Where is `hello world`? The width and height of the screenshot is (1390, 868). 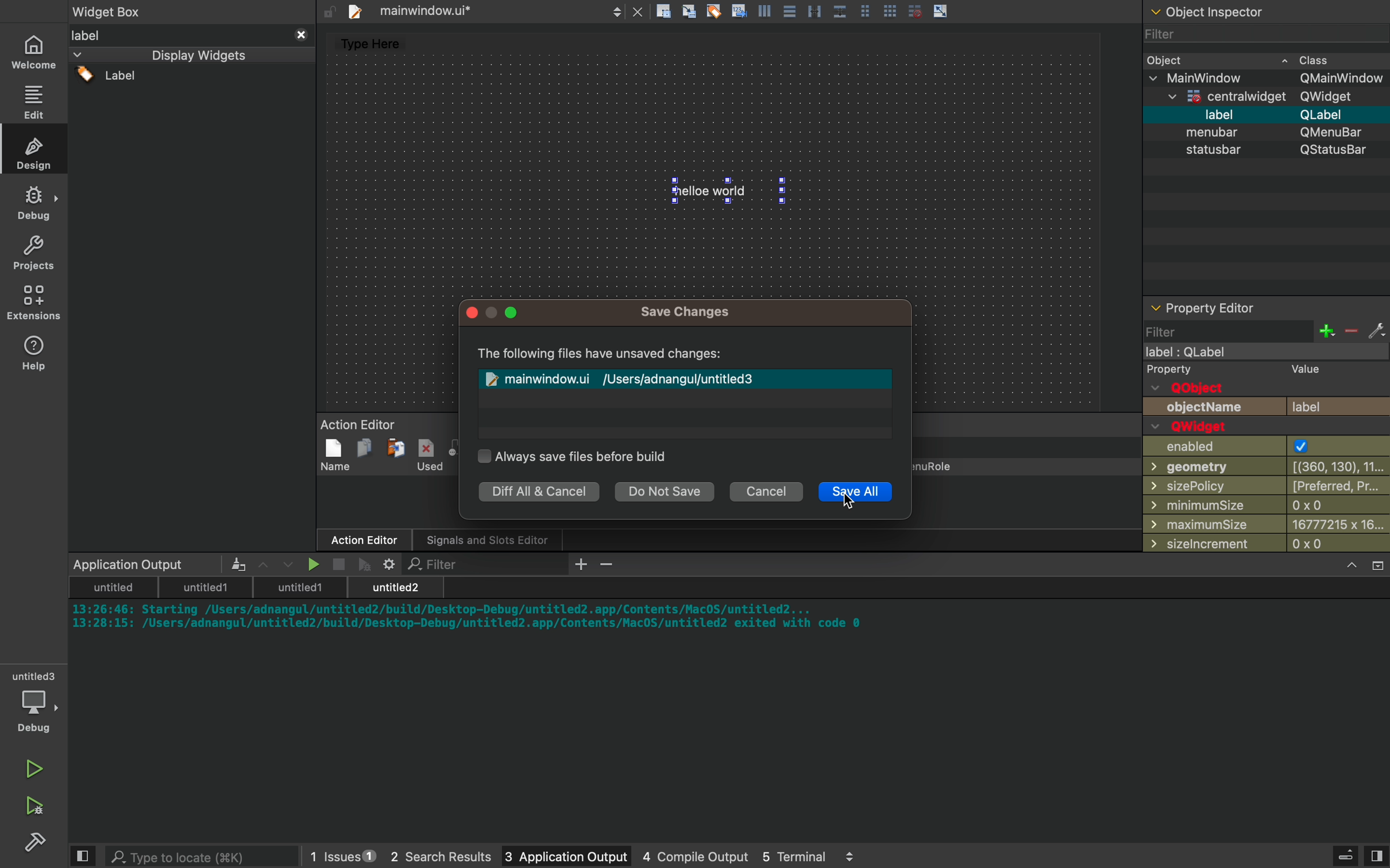 hello world is located at coordinates (737, 191).